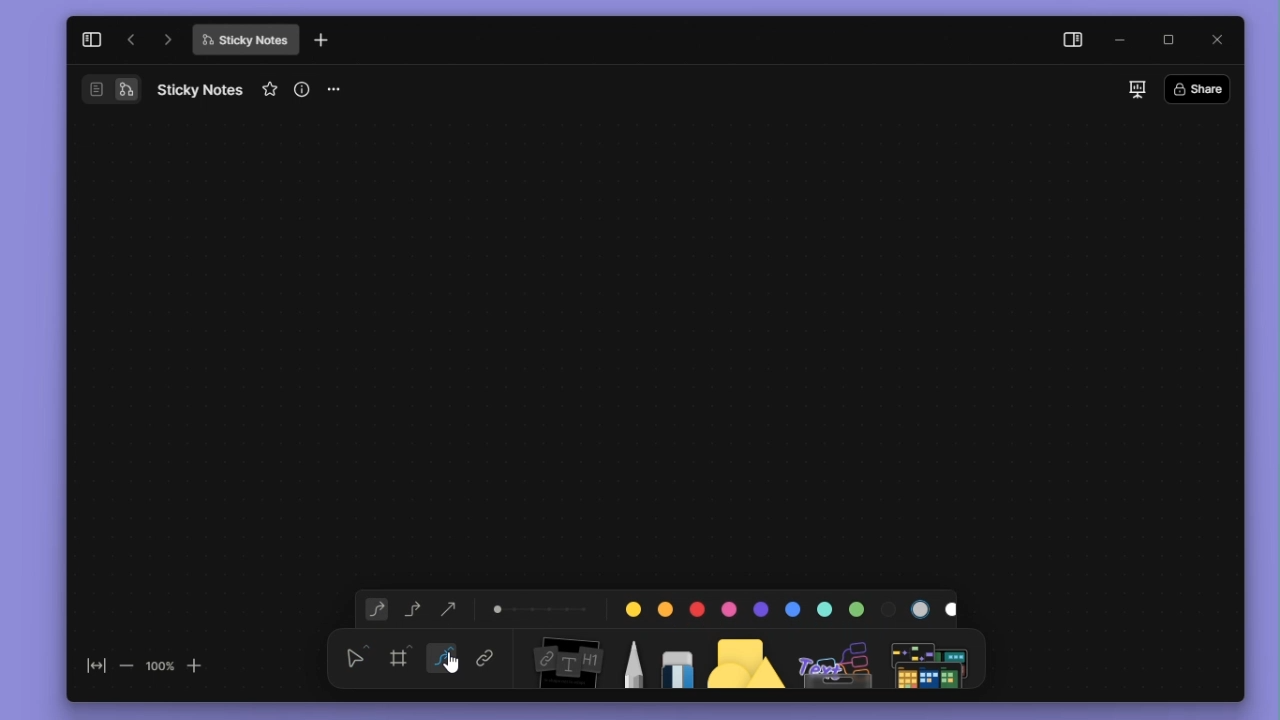 The width and height of the screenshot is (1280, 720). I want to click on thickness, so click(541, 607).